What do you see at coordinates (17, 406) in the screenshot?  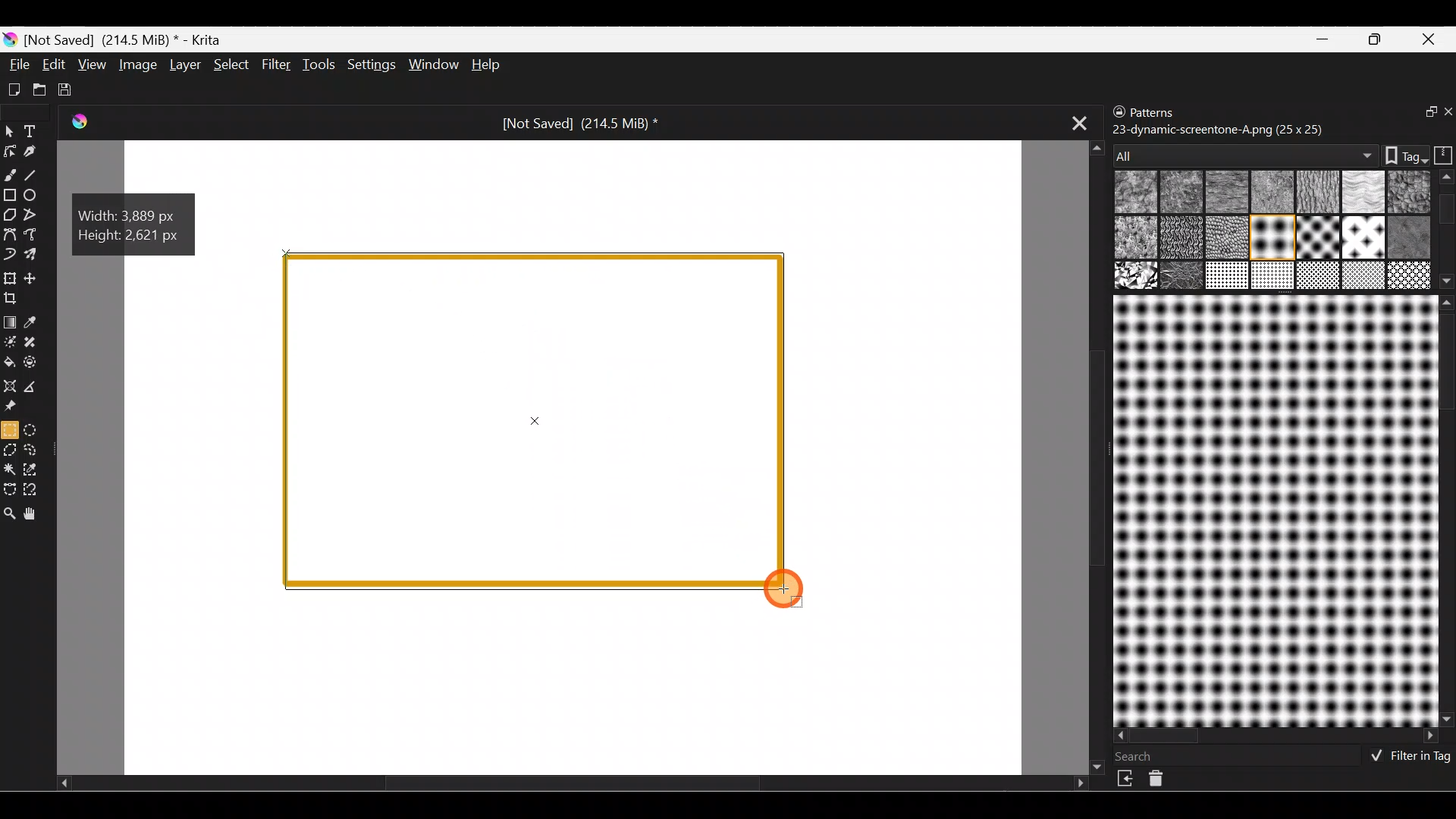 I see `Reference images tool` at bounding box center [17, 406].